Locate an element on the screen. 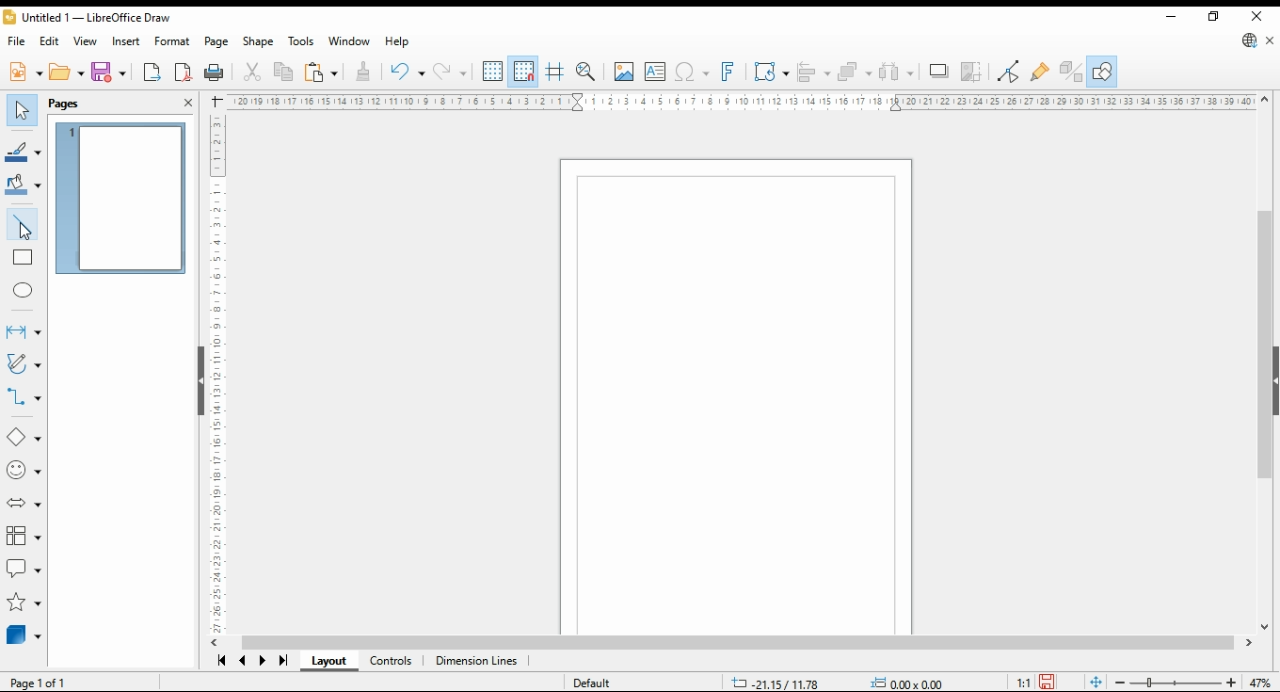  open is located at coordinates (66, 73).